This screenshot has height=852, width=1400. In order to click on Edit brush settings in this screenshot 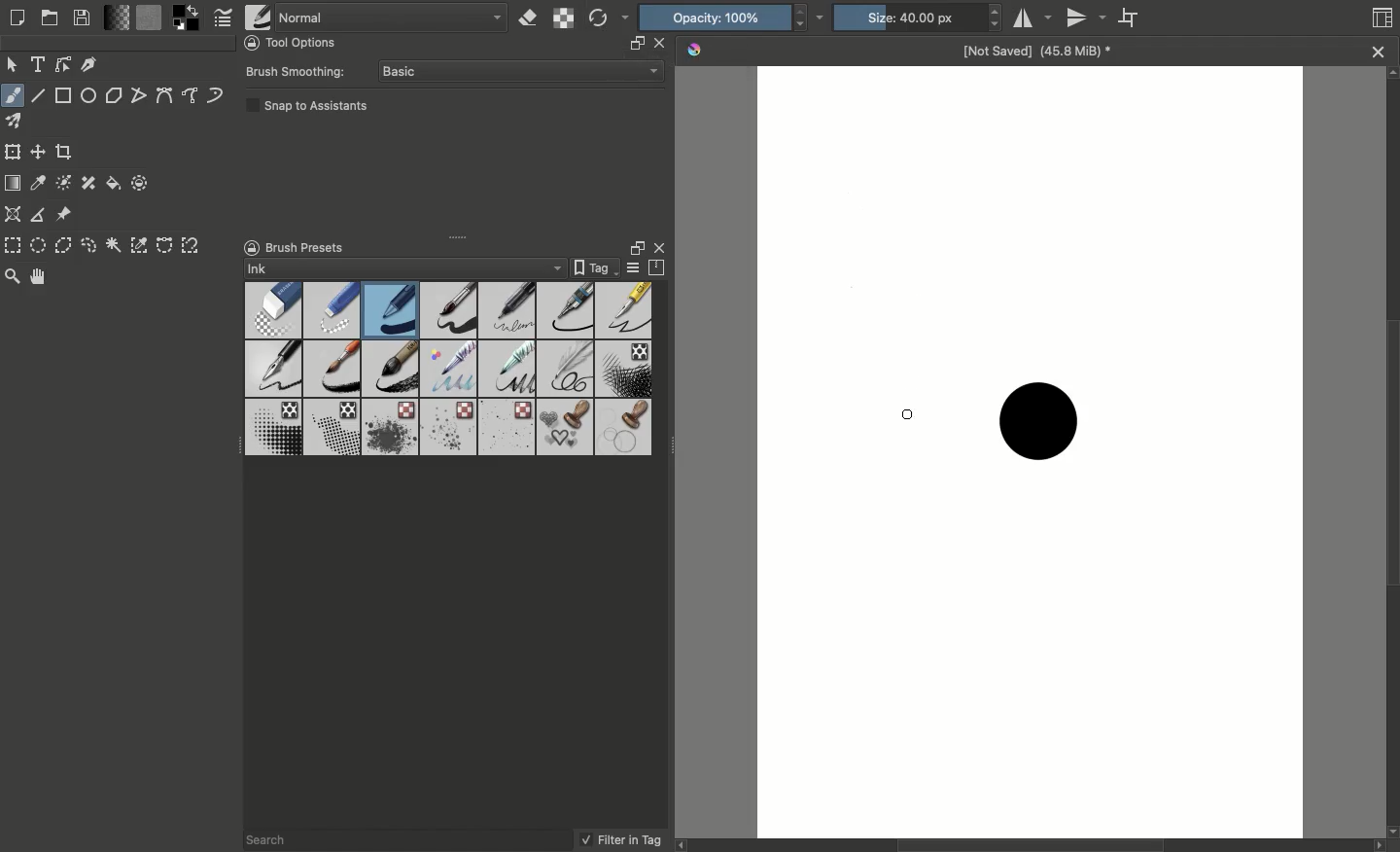, I will do `click(227, 18)`.